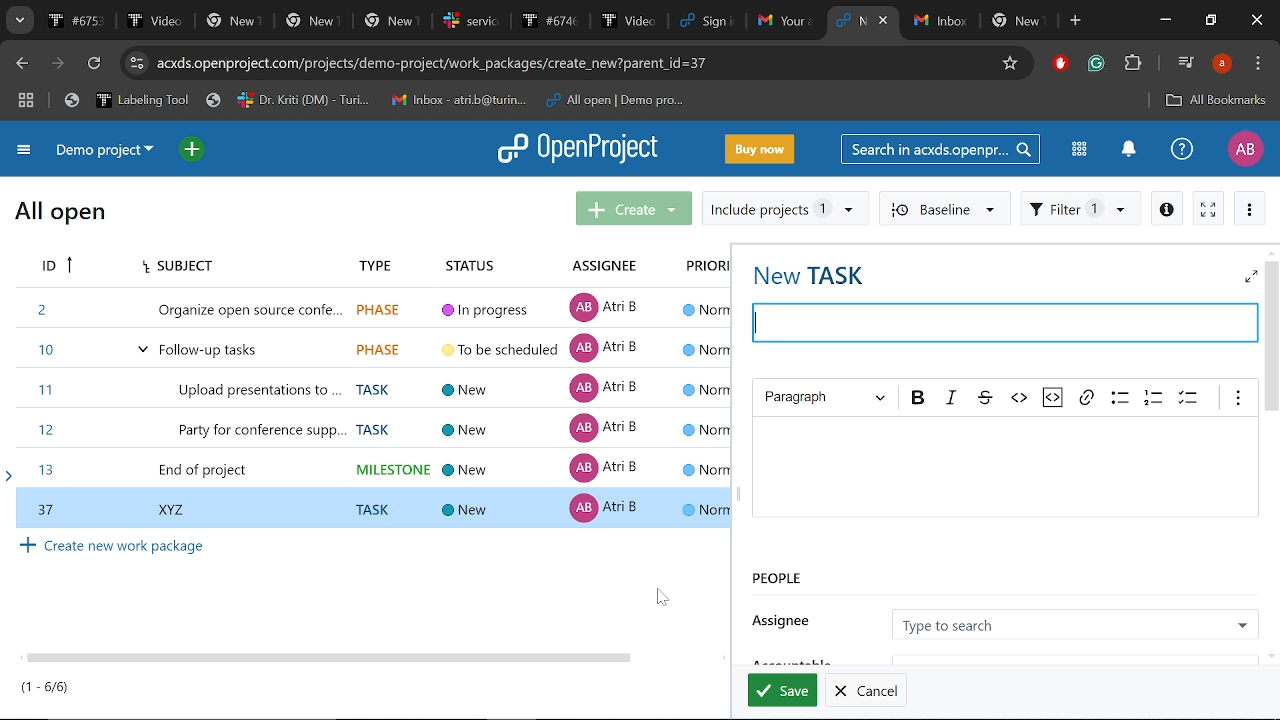 The width and height of the screenshot is (1280, 720). What do you see at coordinates (1239, 399) in the screenshot?
I see `Show ,ore items` at bounding box center [1239, 399].